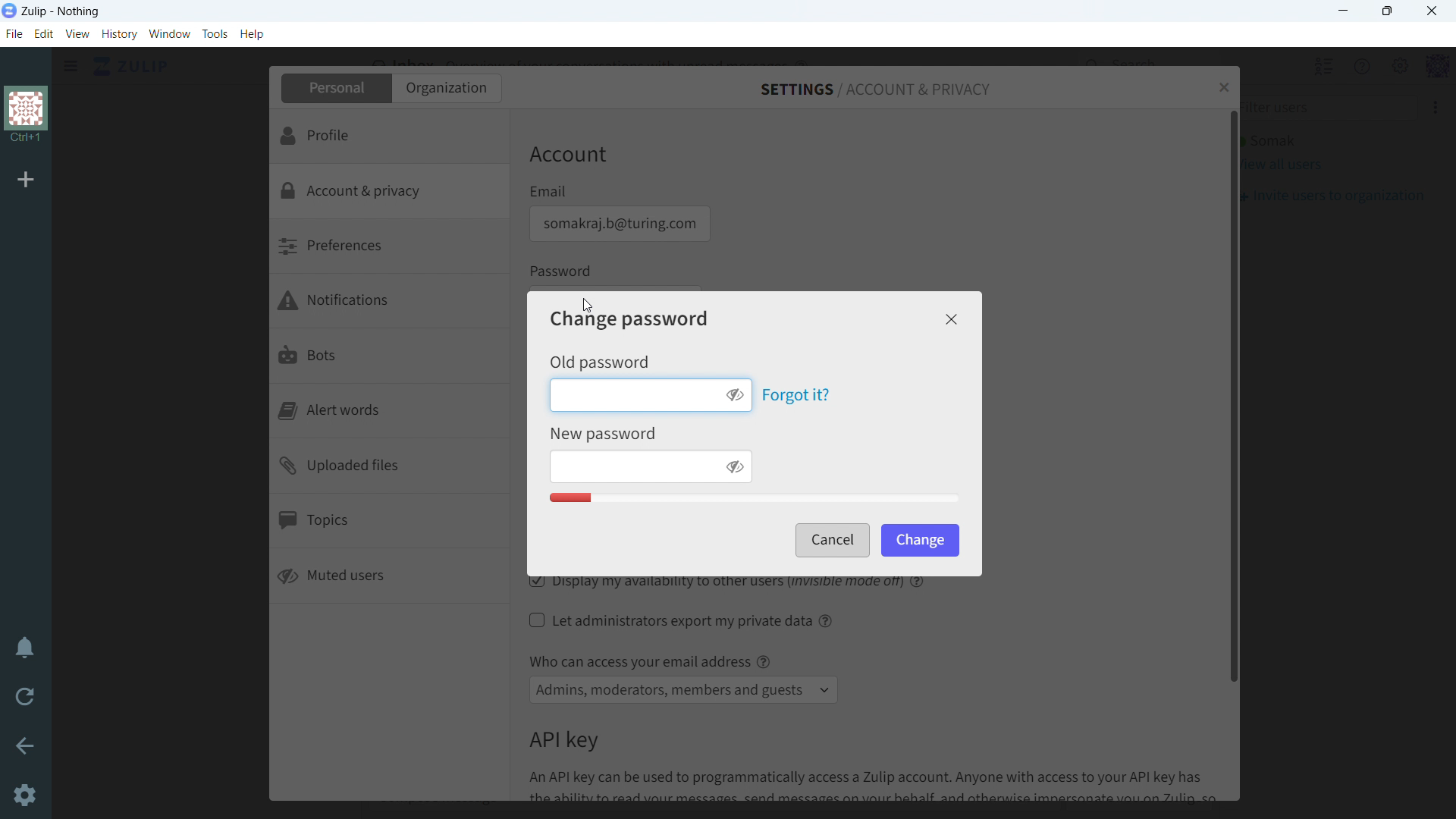 Image resolution: width=1456 pixels, height=819 pixels. Describe the element at coordinates (171, 34) in the screenshot. I see `window` at that location.